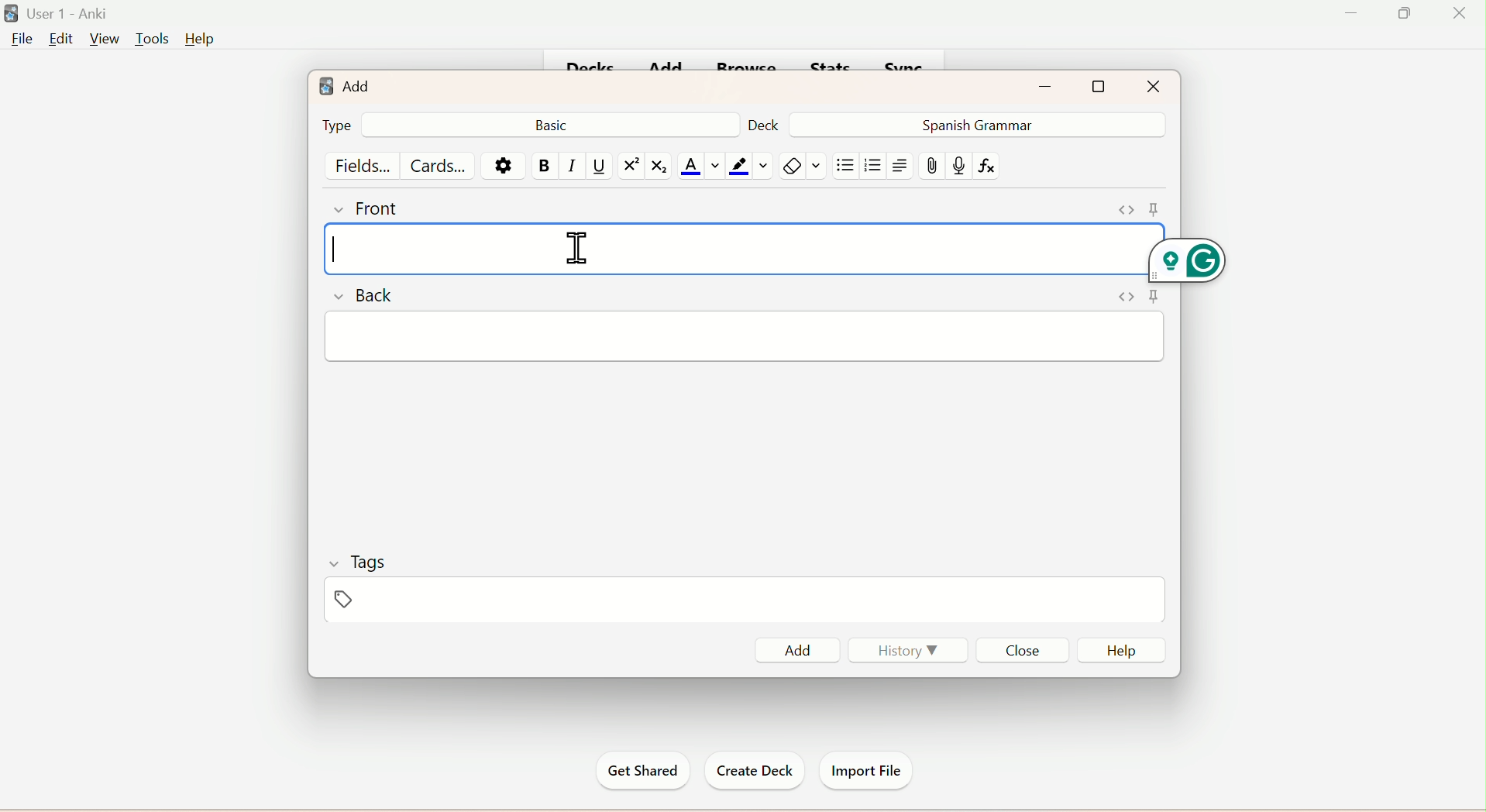 The image size is (1486, 812). Describe the element at coordinates (545, 166) in the screenshot. I see `Bold` at that location.